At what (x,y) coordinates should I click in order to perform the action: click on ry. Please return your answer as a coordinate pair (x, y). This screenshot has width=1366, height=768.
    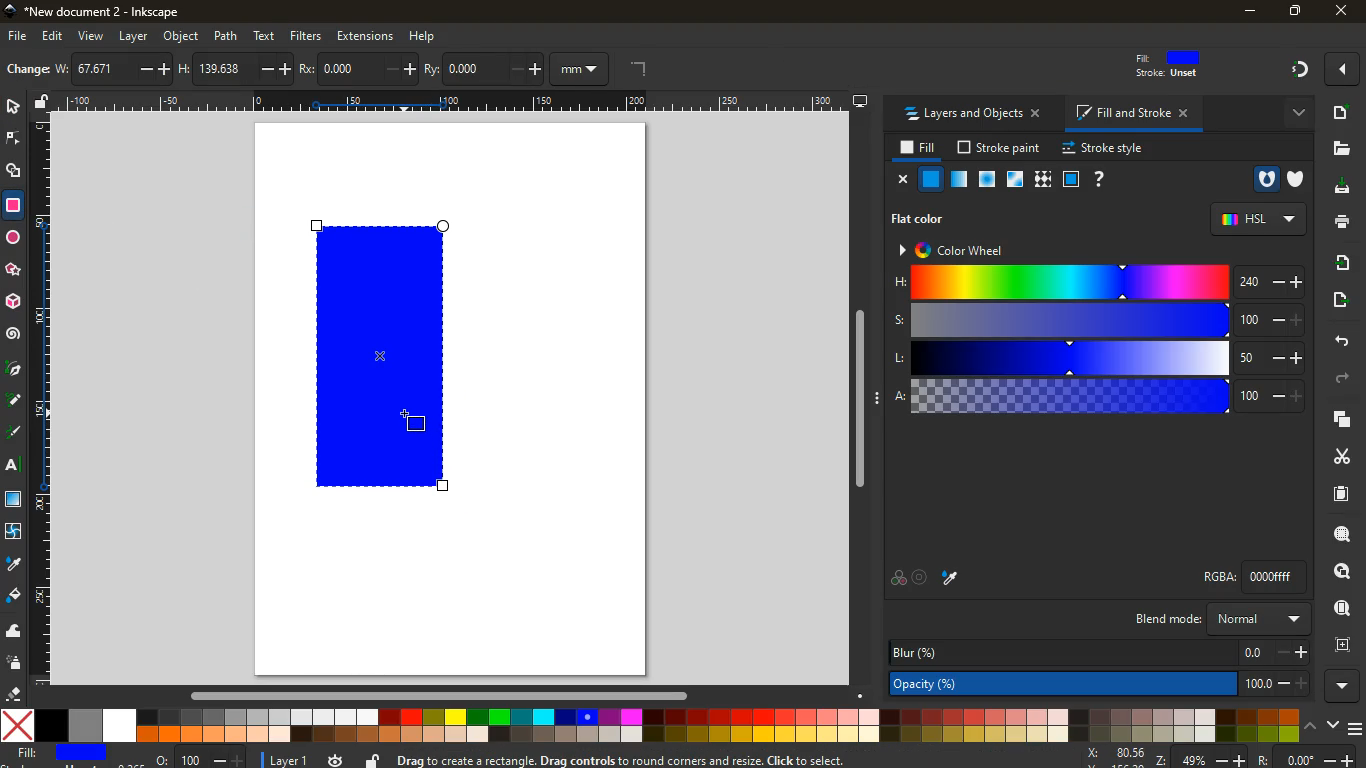
    Looking at the image, I should click on (484, 69).